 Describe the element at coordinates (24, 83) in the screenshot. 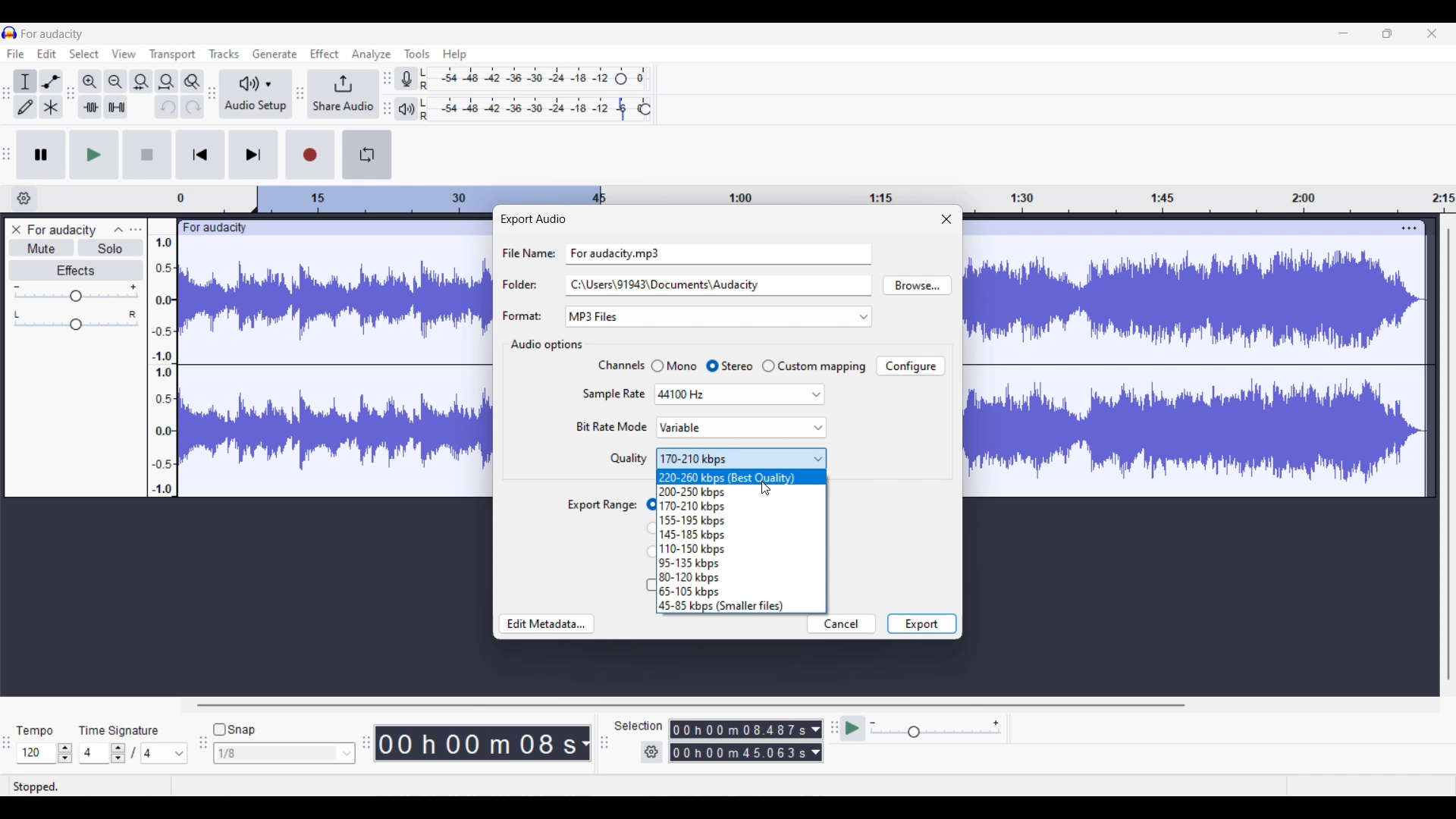

I see `Selection tool` at that location.